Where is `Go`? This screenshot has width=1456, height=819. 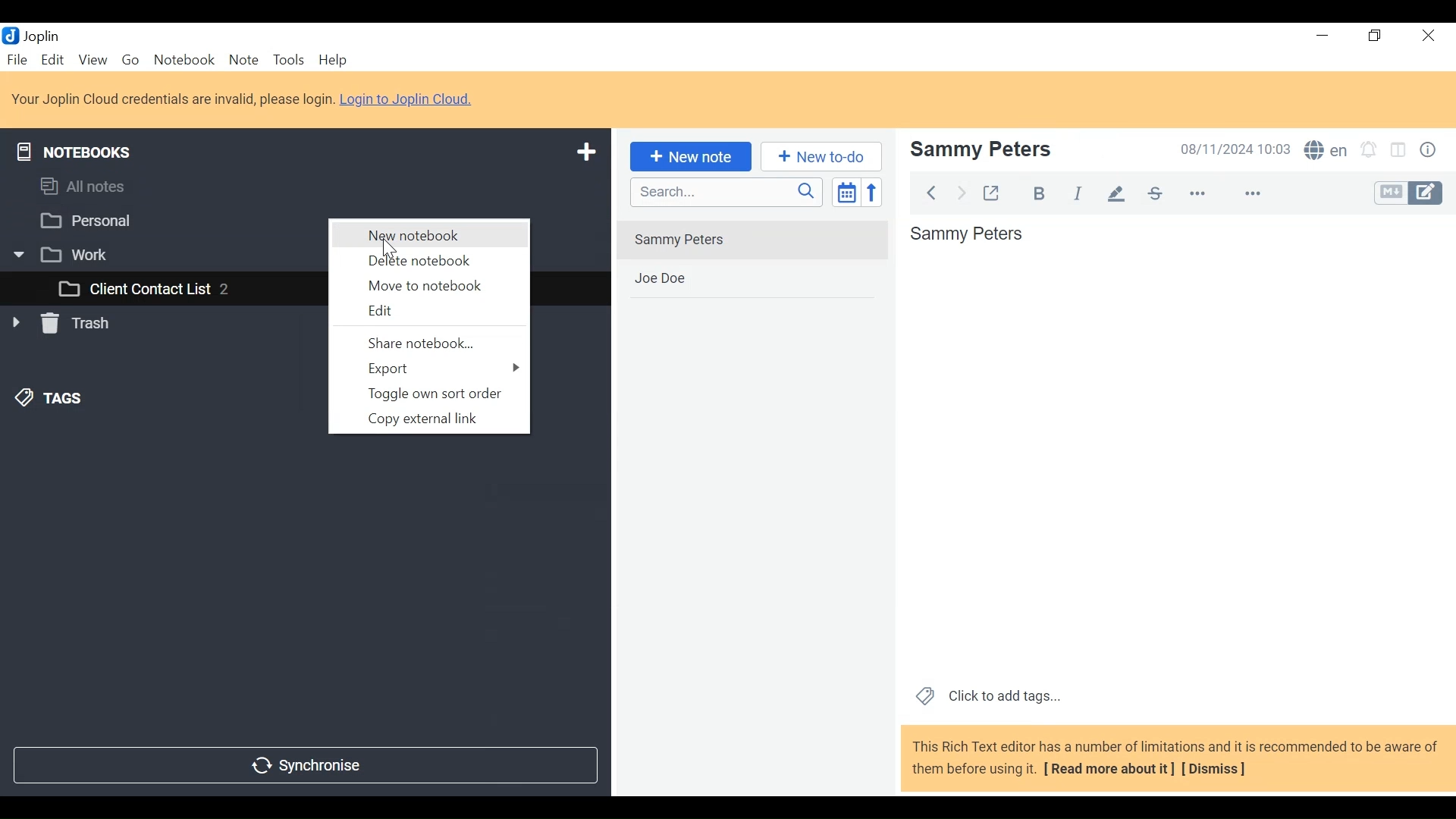 Go is located at coordinates (128, 61).